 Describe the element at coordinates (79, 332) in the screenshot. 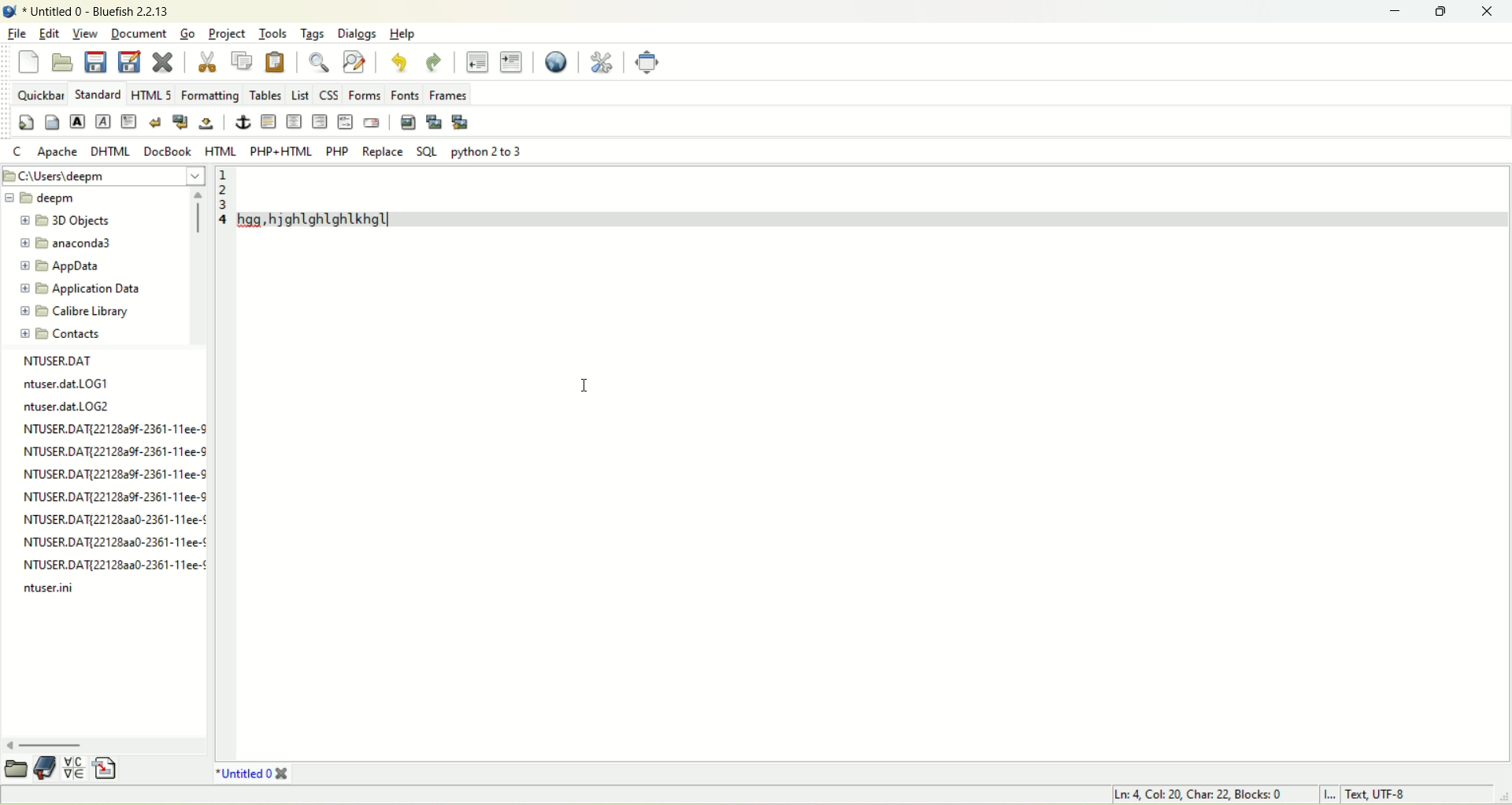

I see `folder name` at that location.